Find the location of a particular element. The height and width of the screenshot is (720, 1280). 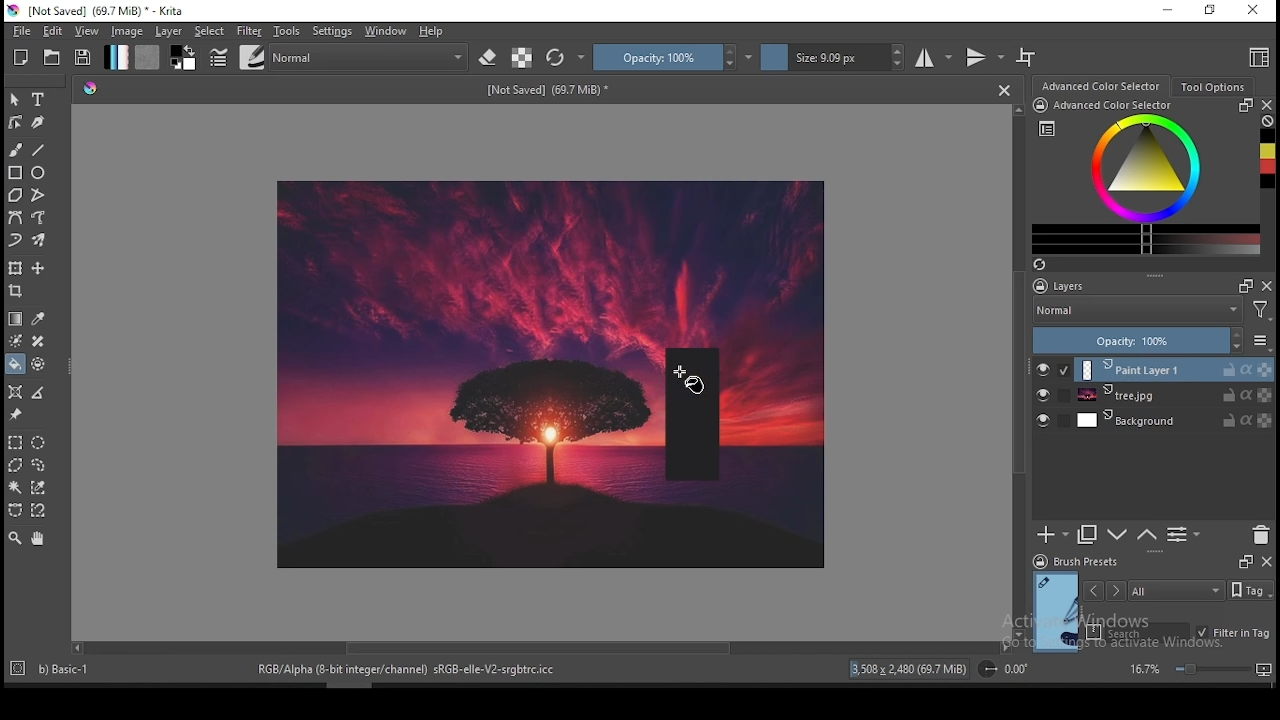

polygon selection tool is located at coordinates (14, 442).